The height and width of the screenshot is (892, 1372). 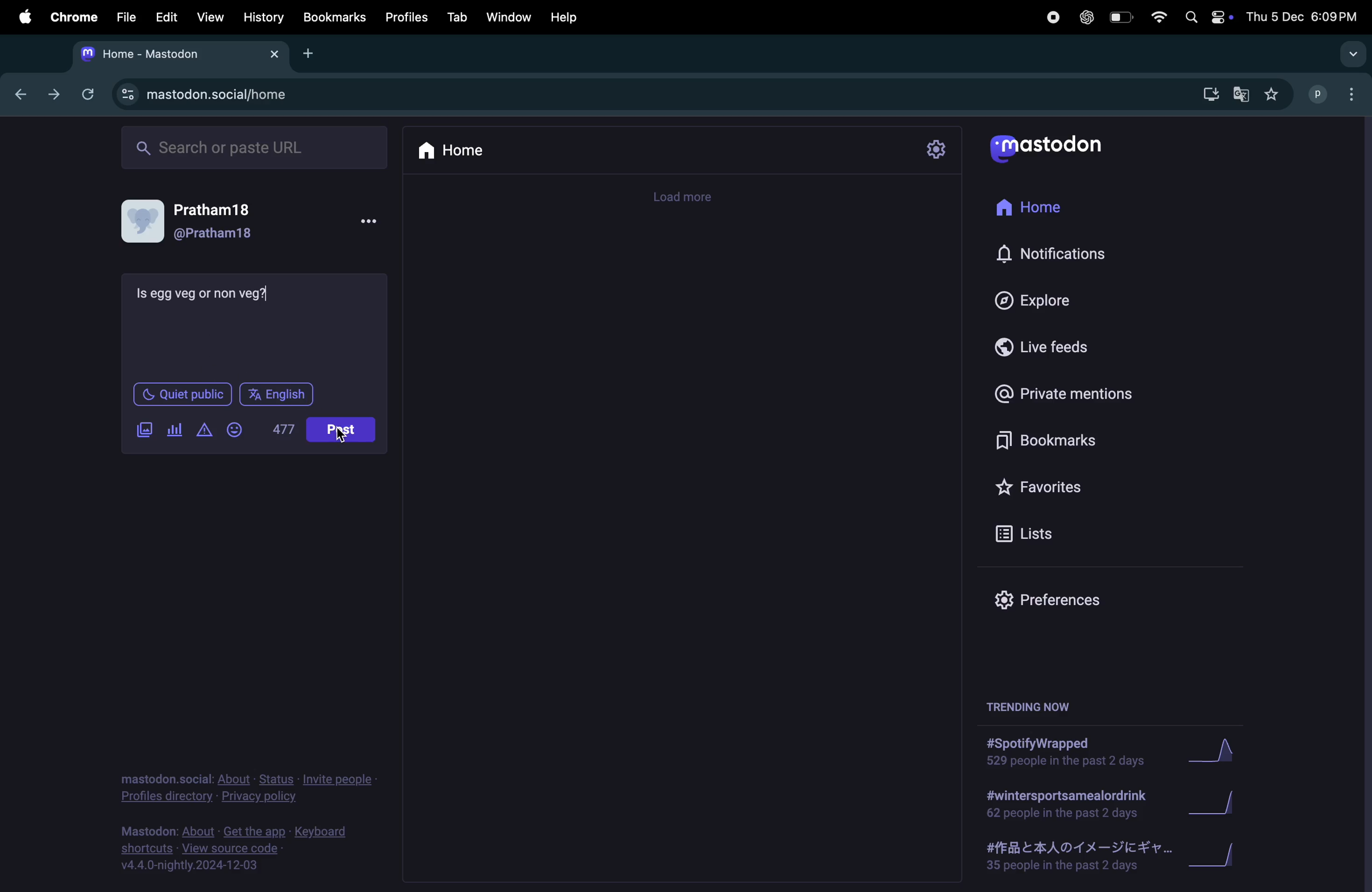 What do you see at coordinates (1275, 97) in the screenshot?
I see `favourites` at bounding box center [1275, 97].